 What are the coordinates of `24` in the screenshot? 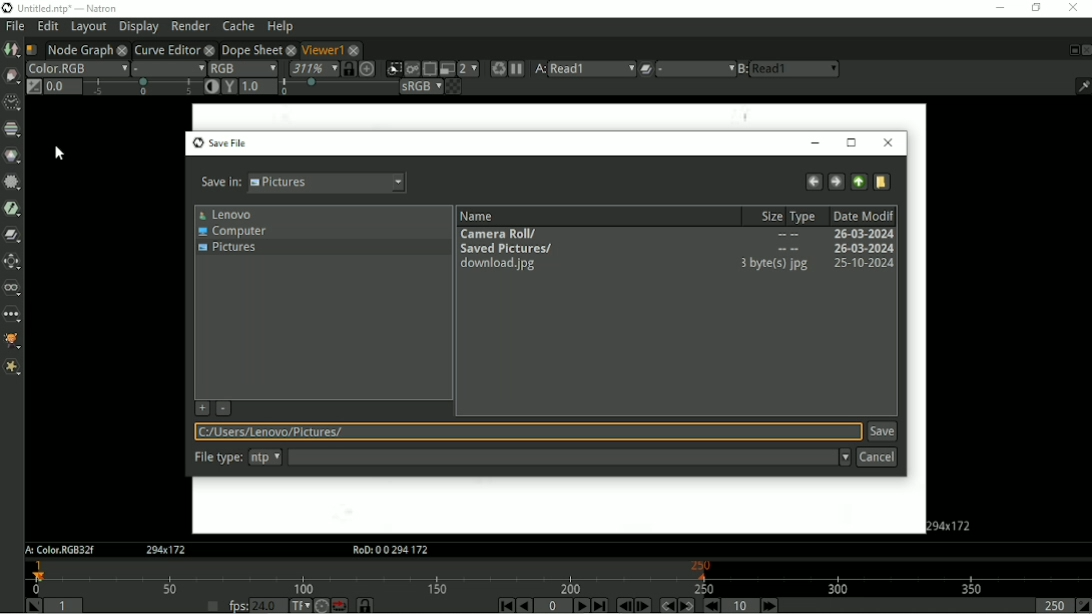 It's located at (267, 605).